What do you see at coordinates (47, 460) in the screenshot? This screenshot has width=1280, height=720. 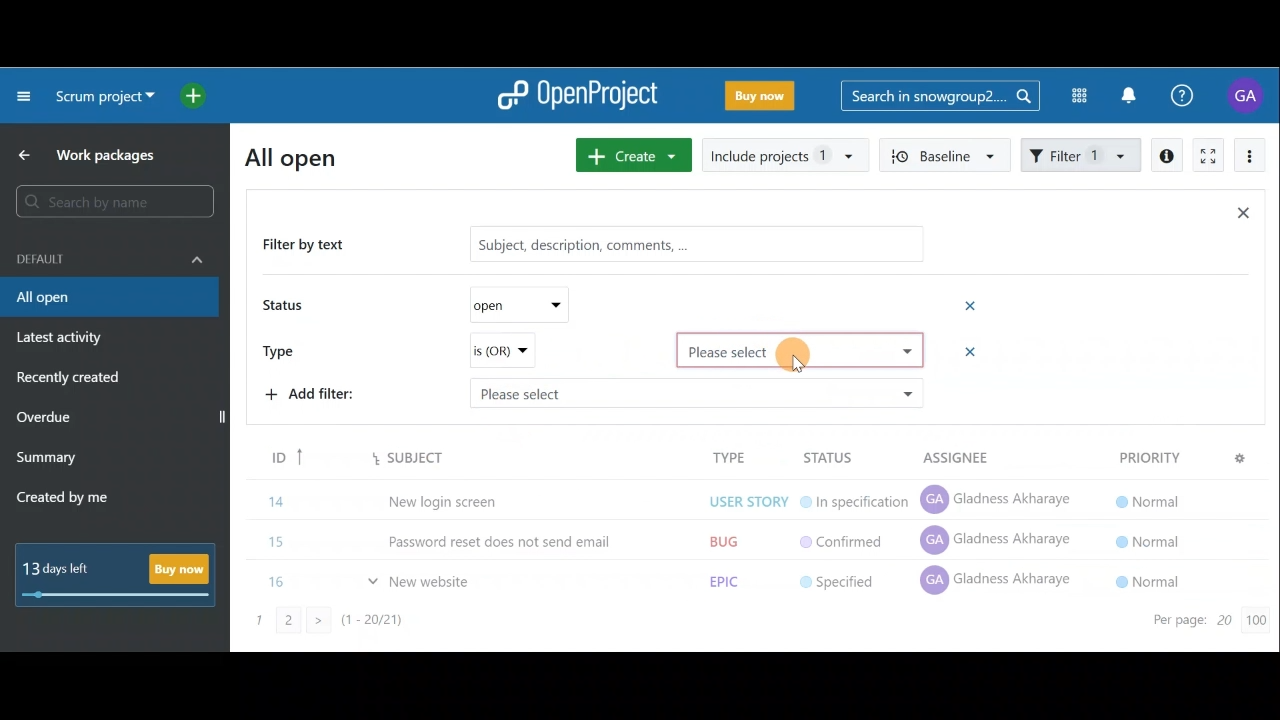 I see `Summary` at bounding box center [47, 460].